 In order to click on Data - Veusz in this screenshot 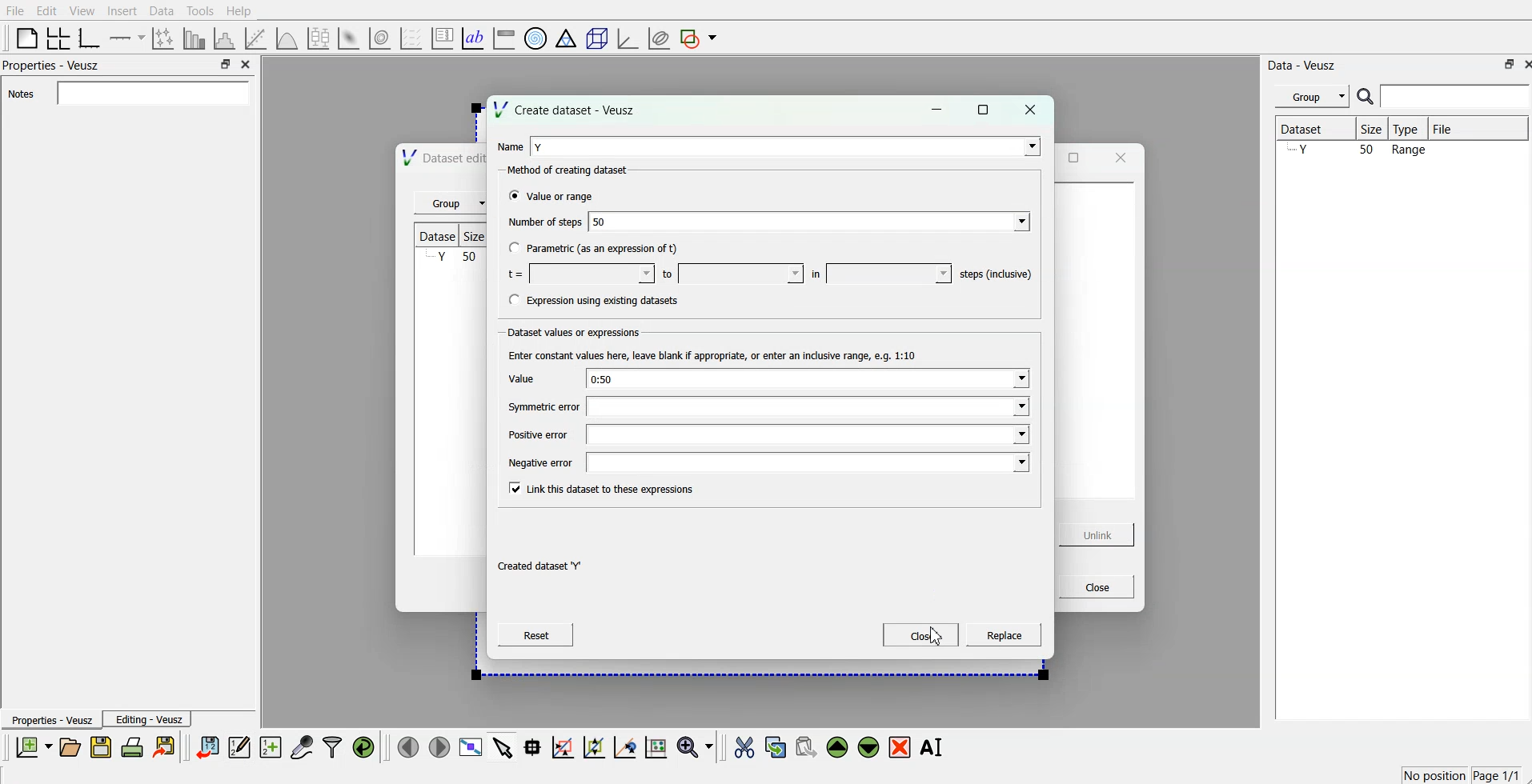, I will do `click(1303, 65)`.